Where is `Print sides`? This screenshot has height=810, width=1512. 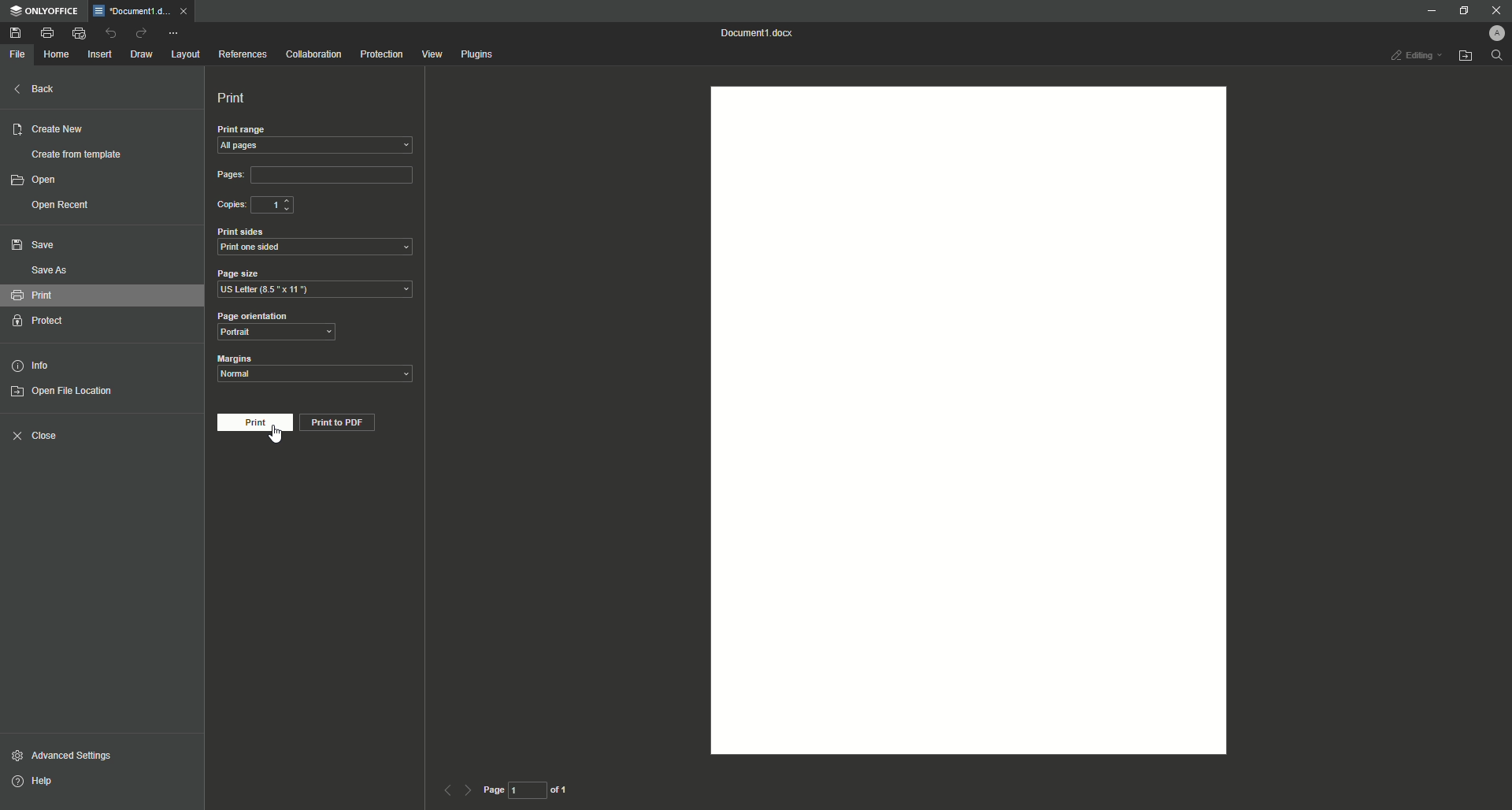 Print sides is located at coordinates (241, 232).